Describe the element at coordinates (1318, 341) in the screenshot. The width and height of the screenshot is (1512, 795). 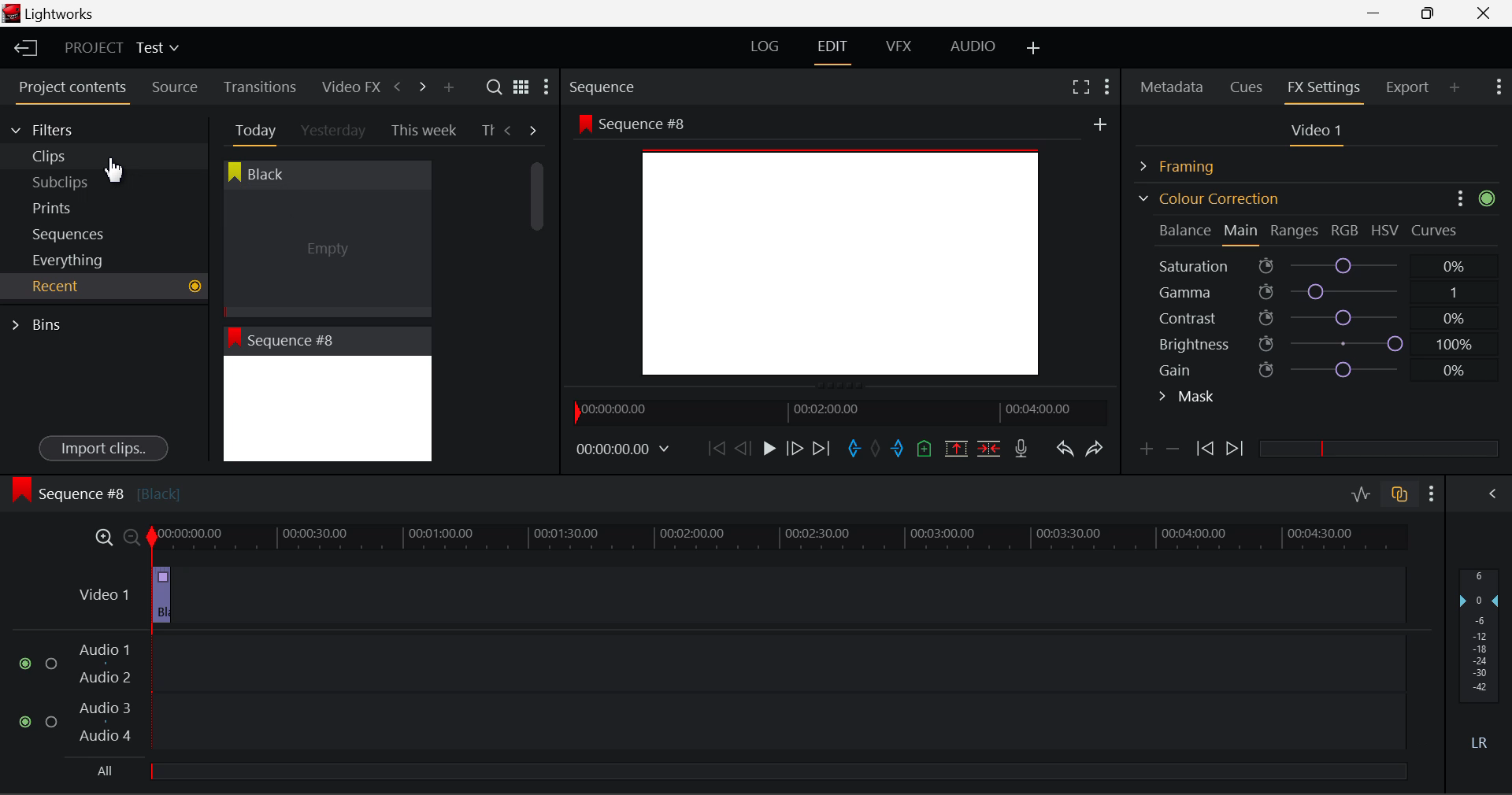
I see `Brightness` at that location.